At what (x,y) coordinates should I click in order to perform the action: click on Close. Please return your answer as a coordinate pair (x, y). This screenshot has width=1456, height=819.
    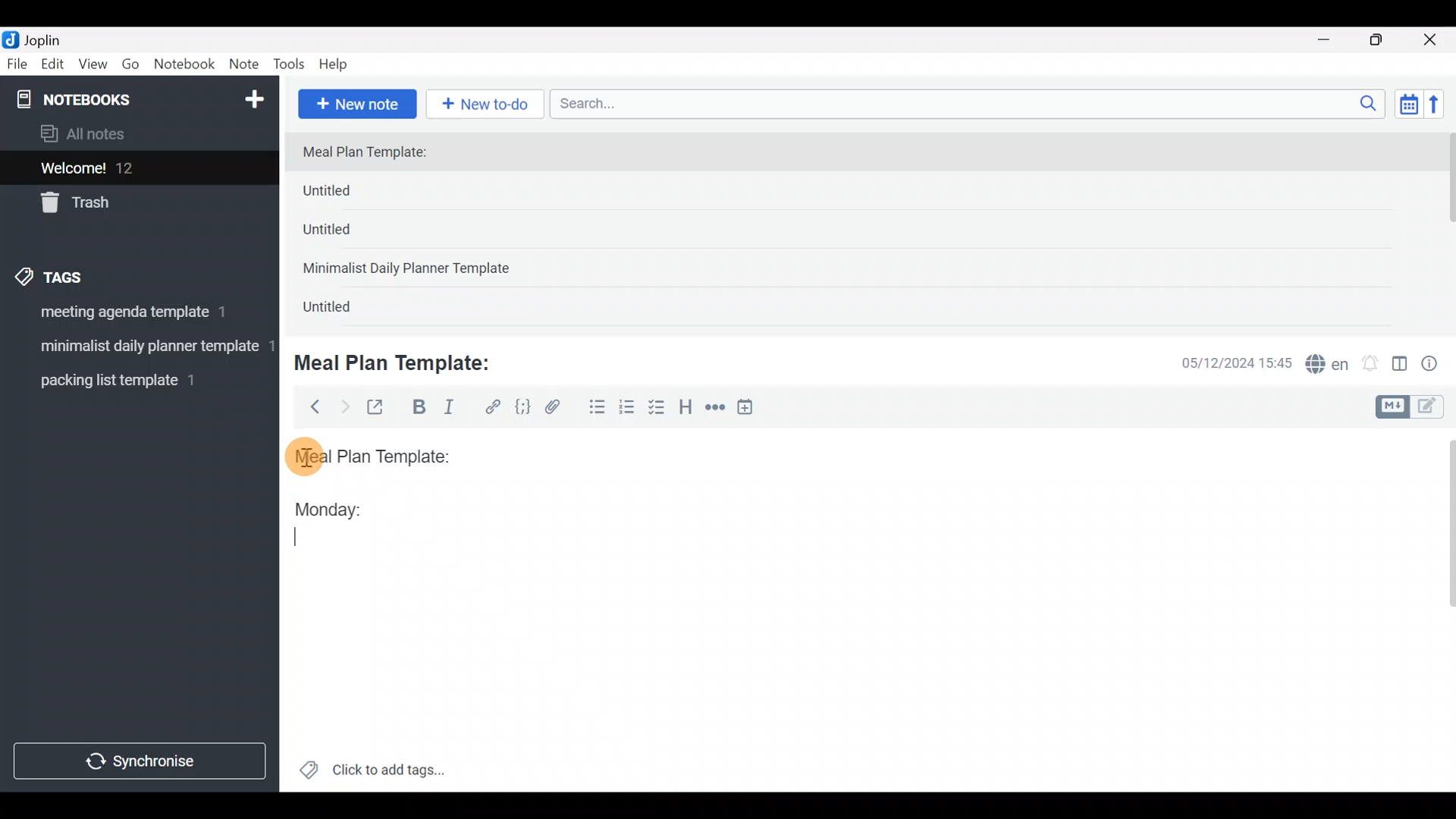
    Looking at the image, I should click on (1432, 41).